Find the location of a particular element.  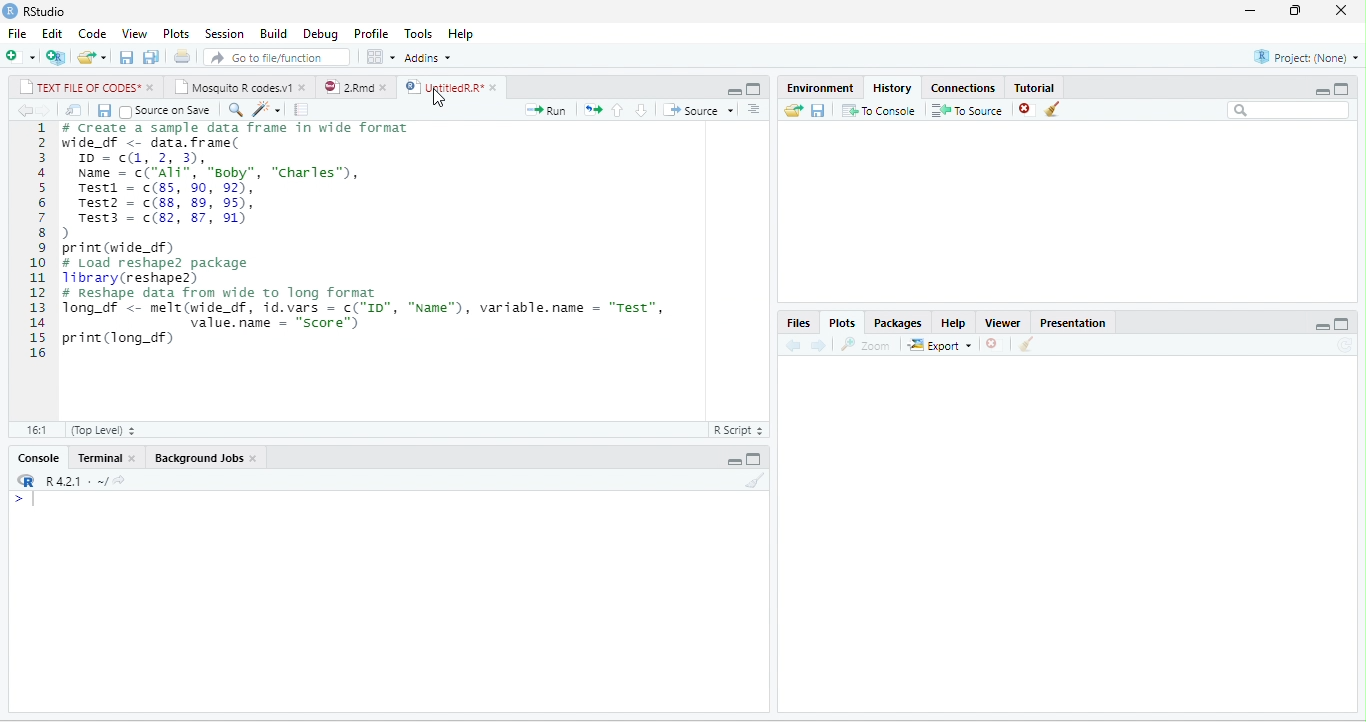

Code is located at coordinates (92, 34).